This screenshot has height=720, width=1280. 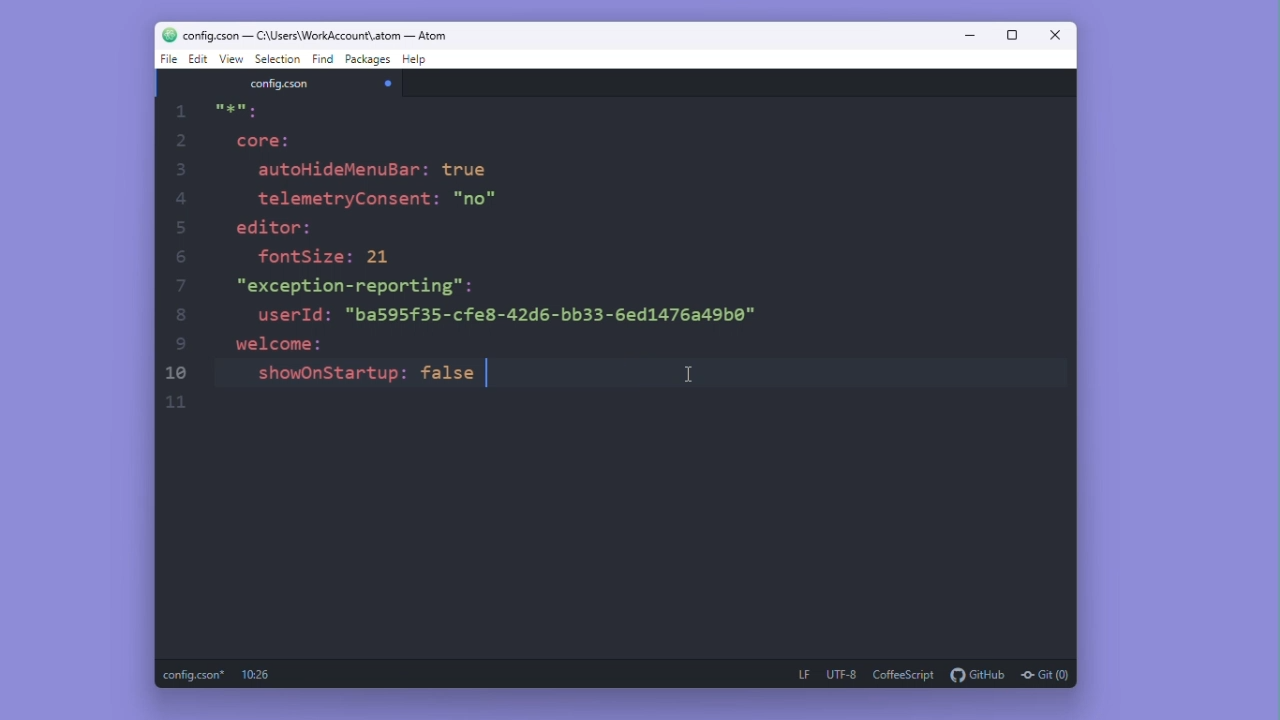 What do you see at coordinates (417, 61) in the screenshot?
I see `Help` at bounding box center [417, 61].